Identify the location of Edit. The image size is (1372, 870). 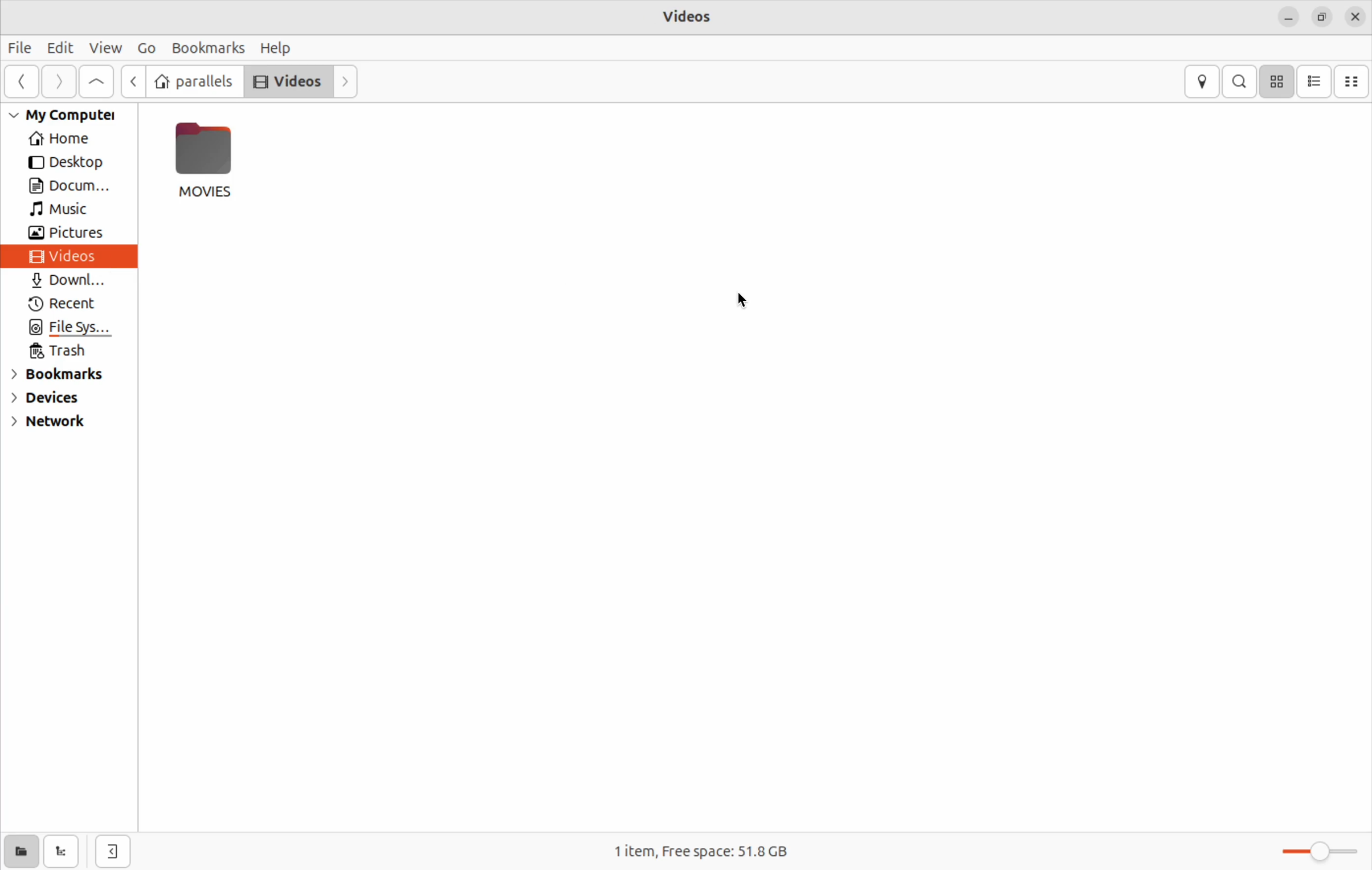
(59, 48).